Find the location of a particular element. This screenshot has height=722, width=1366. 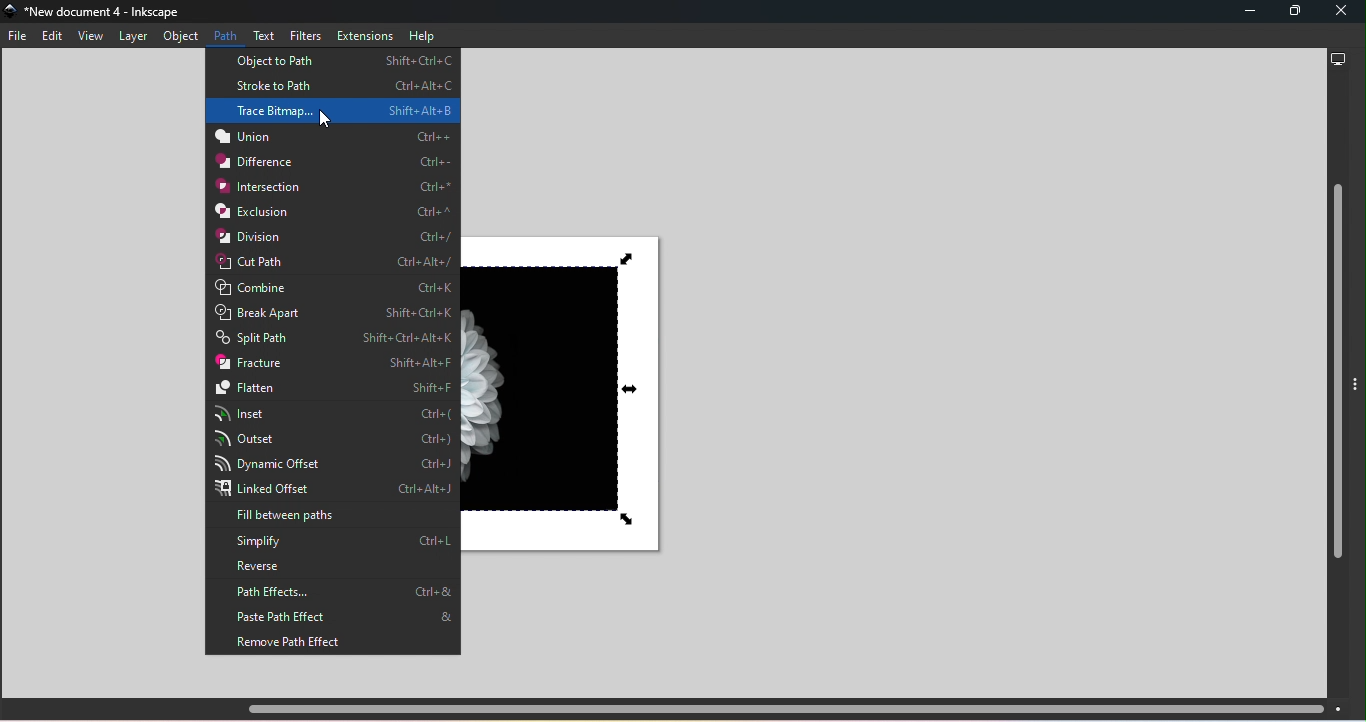

Object to path is located at coordinates (334, 60).